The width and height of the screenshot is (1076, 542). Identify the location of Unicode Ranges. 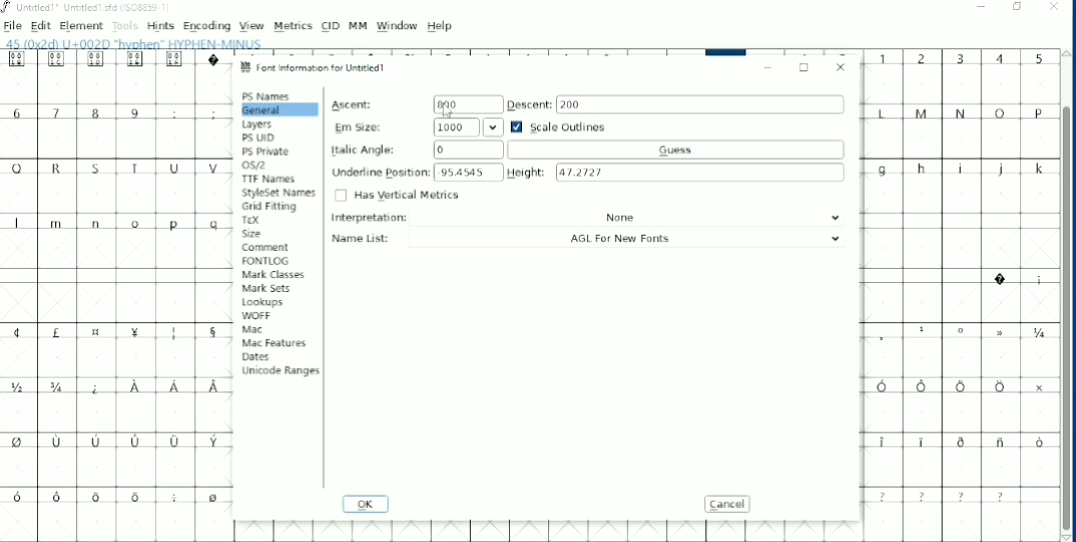
(280, 370).